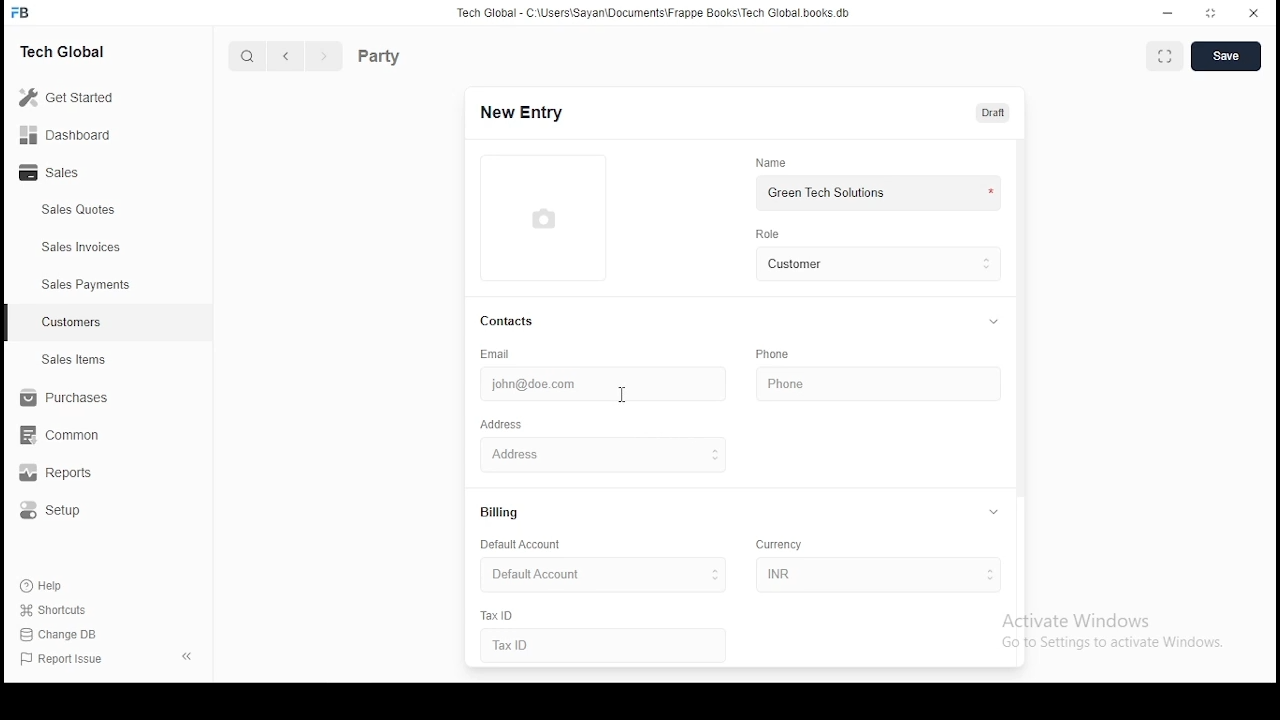 The image size is (1280, 720). What do you see at coordinates (23, 12) in the screenshot?
I see `icon` at bounding box center [23, 12].